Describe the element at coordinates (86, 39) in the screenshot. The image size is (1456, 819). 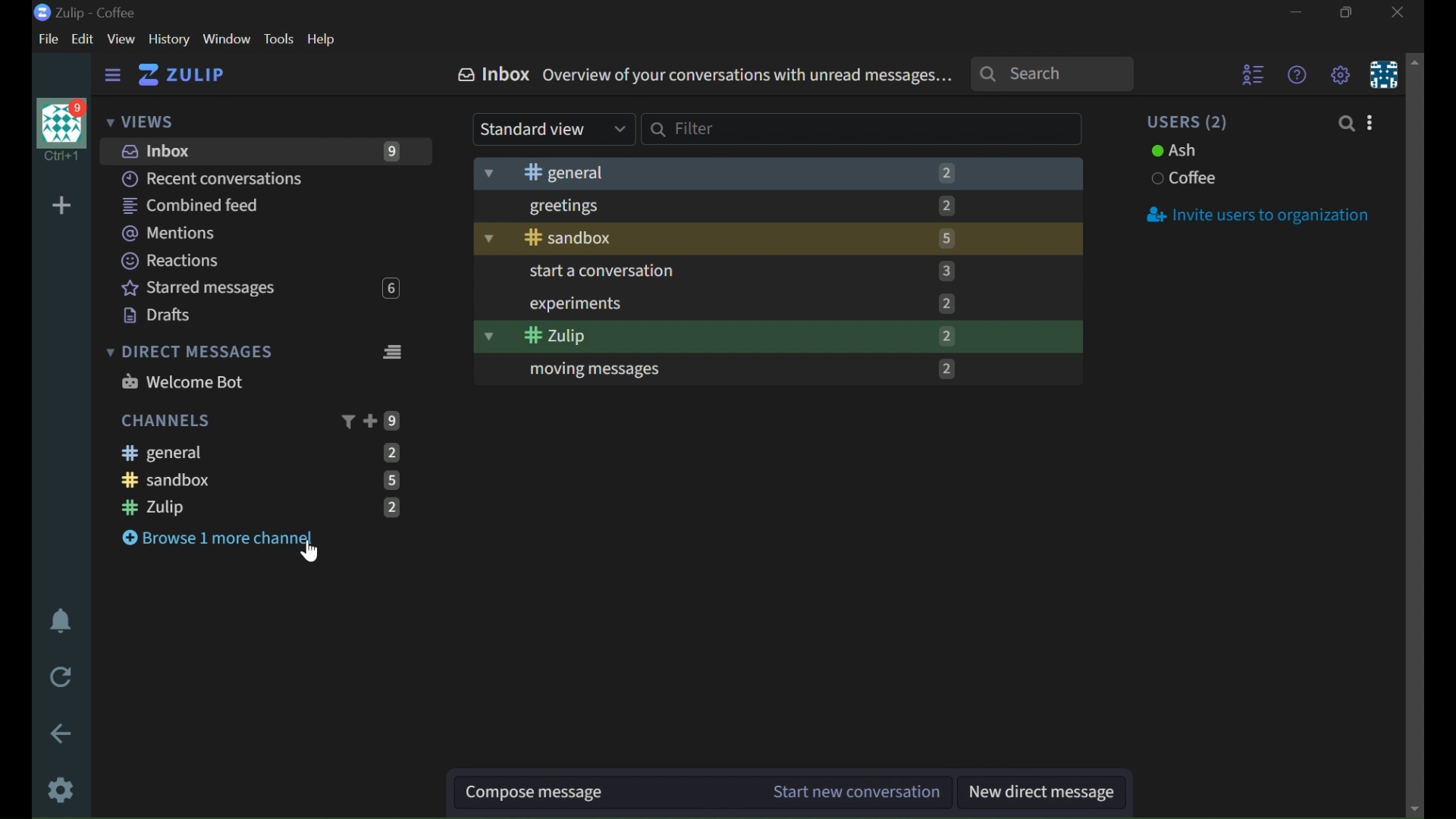
I see `EDIT` at that location.